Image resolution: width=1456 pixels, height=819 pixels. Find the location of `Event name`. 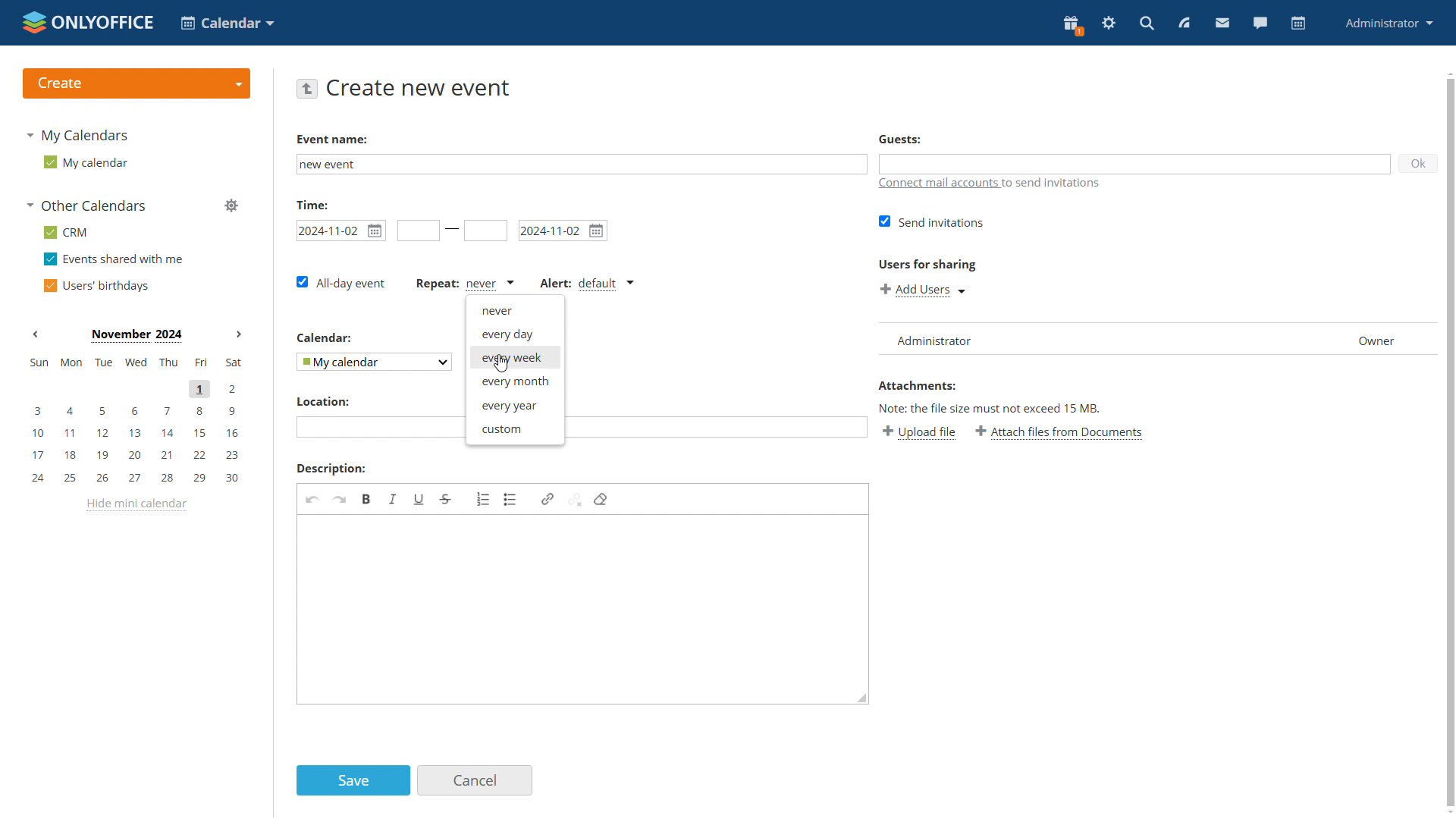

Event name is located at coordinates (331, 139).